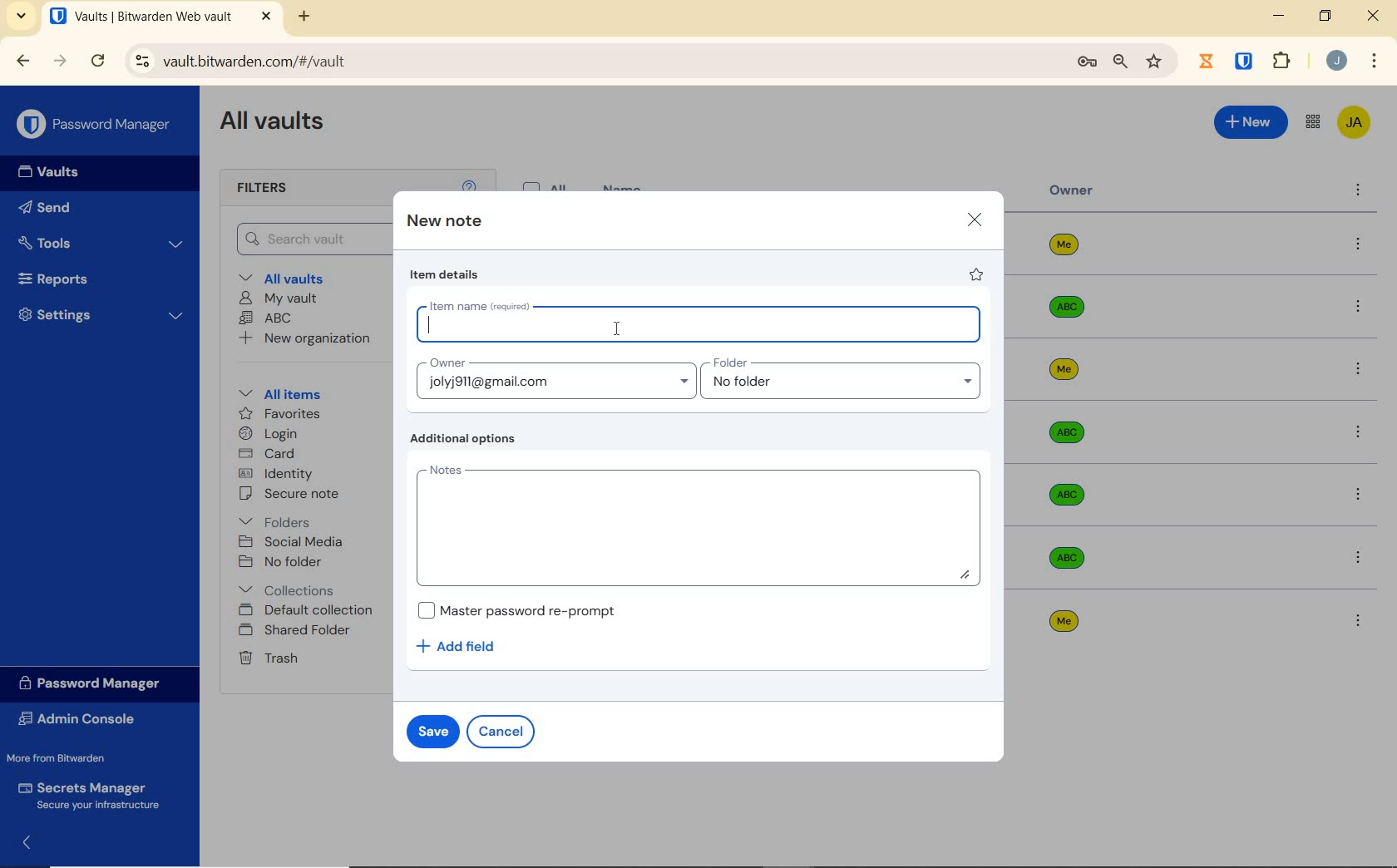 This screenshot has height=868, width=1397. I want to click on All vaults, so click(297, 279).